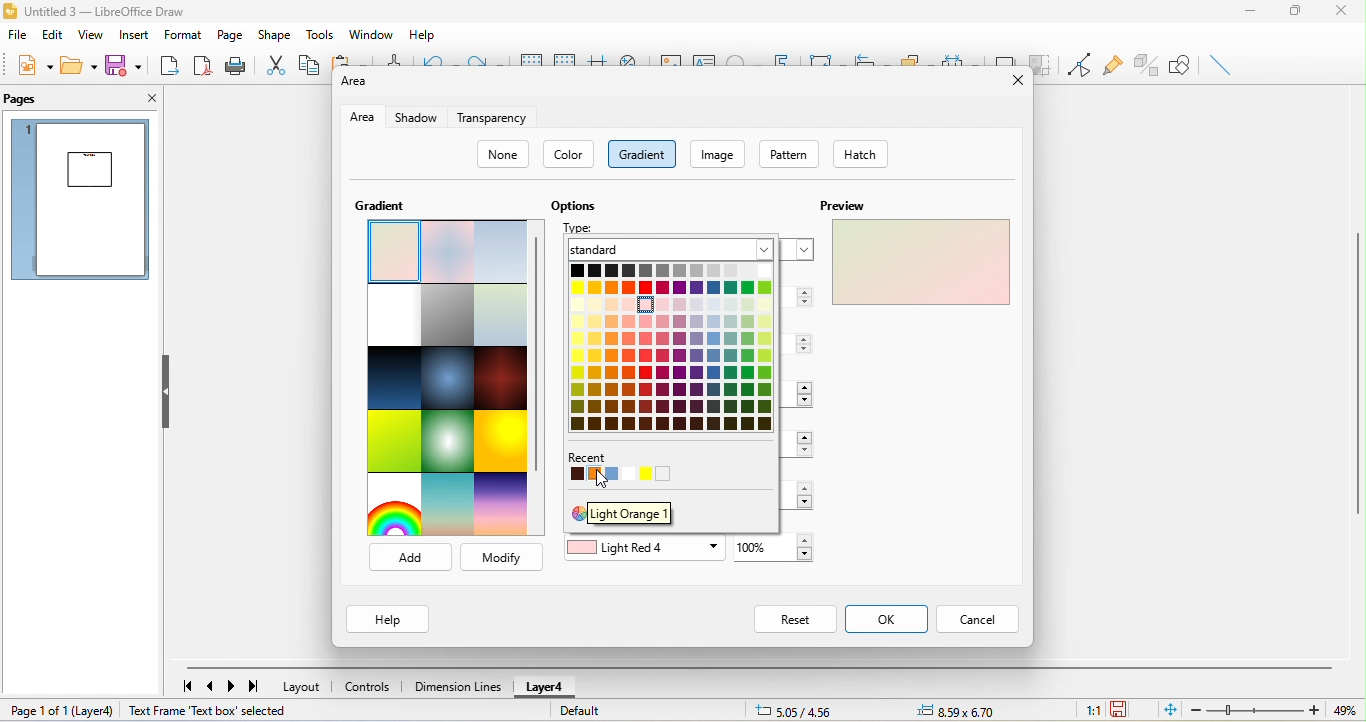 The image size is (1366, 722). Describe the element at coordinates (961, 712) in the screenshot. I see `object position-8.59x6.70` at that location.